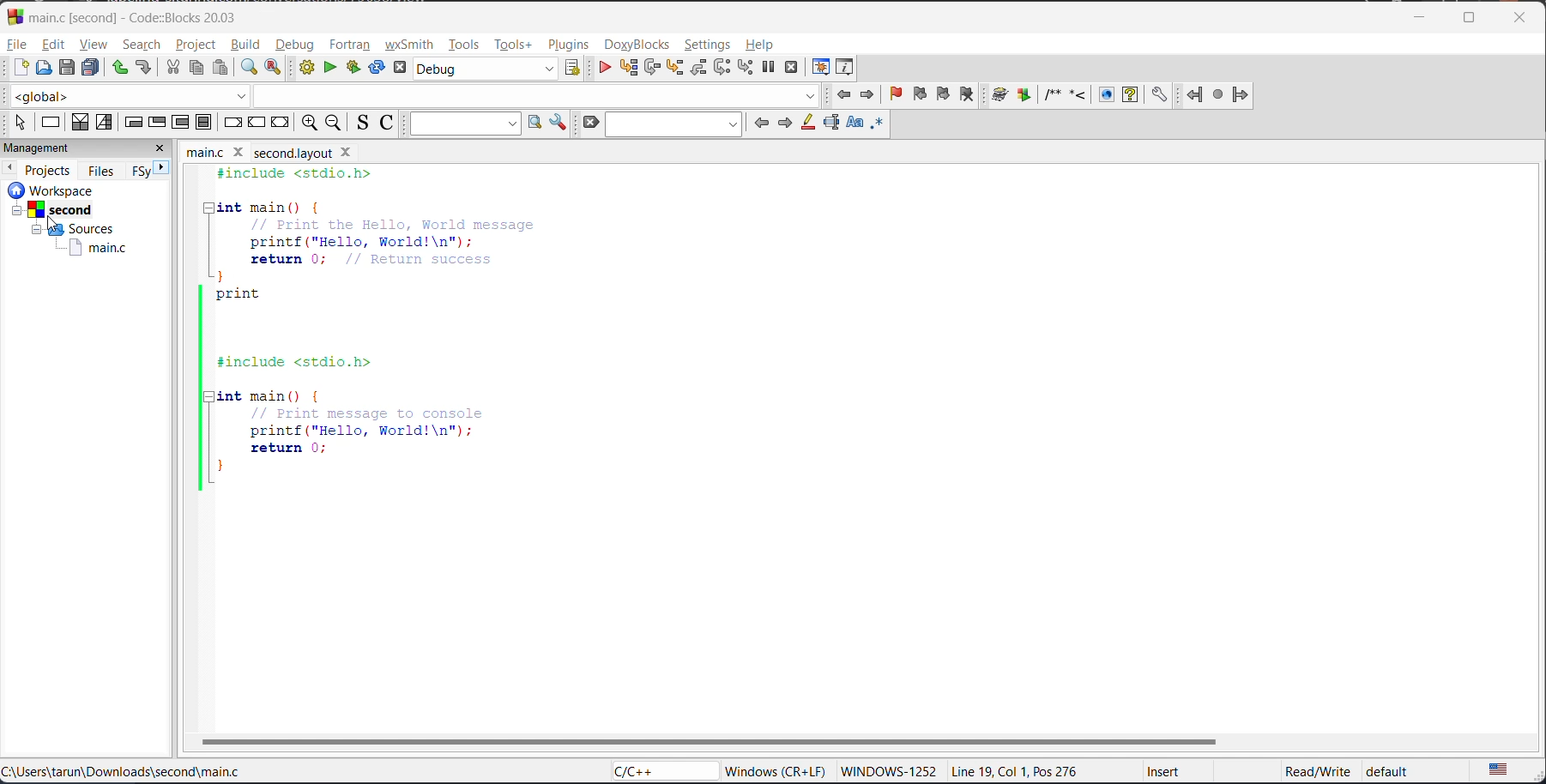 The image size is (1546, 784). Describe the element at coordinates (160, 123) in the screenshot. I see `exit condition loop` at that location.